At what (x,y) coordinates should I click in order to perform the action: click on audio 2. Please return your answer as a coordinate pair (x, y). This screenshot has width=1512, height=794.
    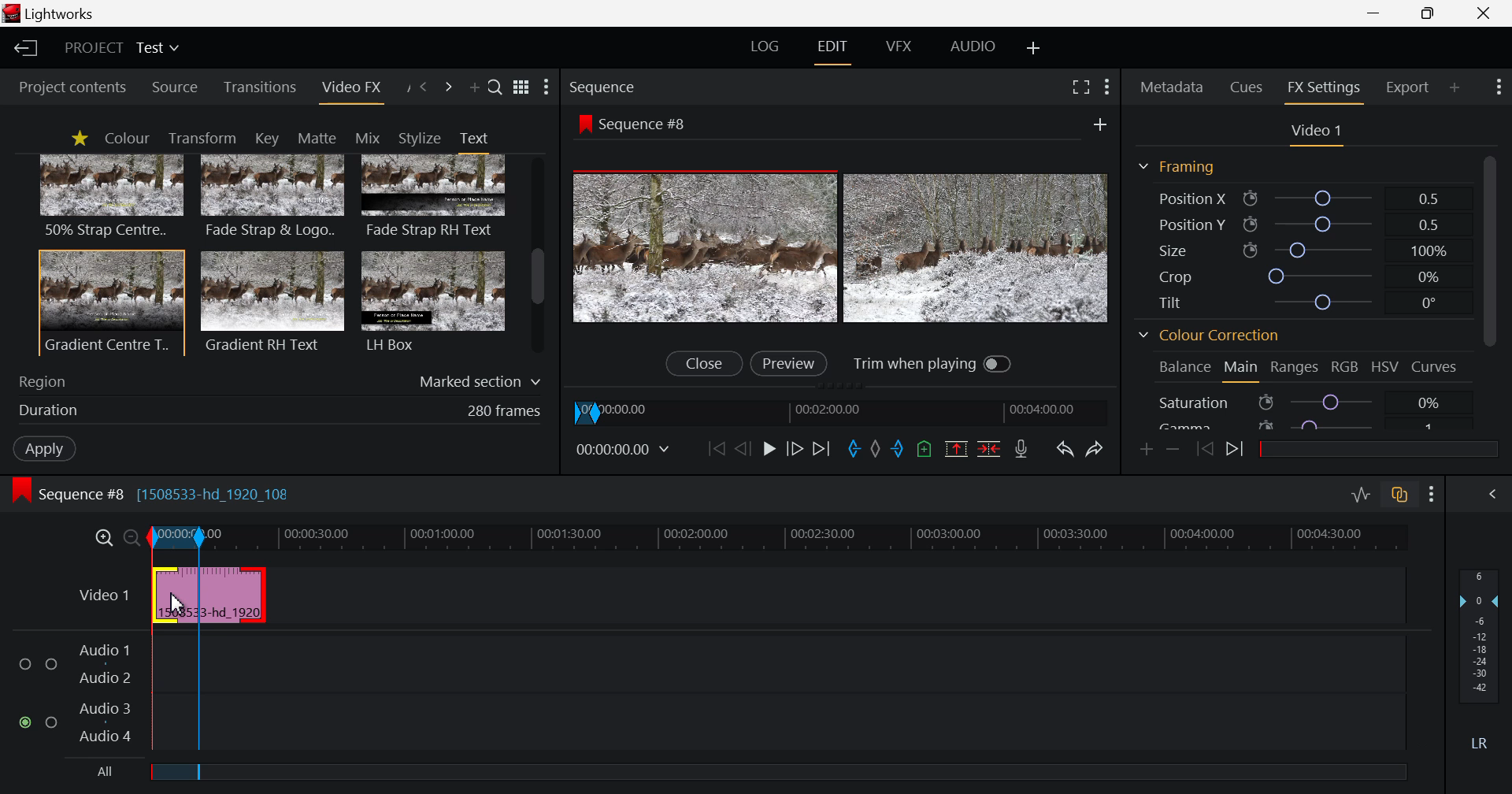
    Looking at the image, I should click on (107, 678).